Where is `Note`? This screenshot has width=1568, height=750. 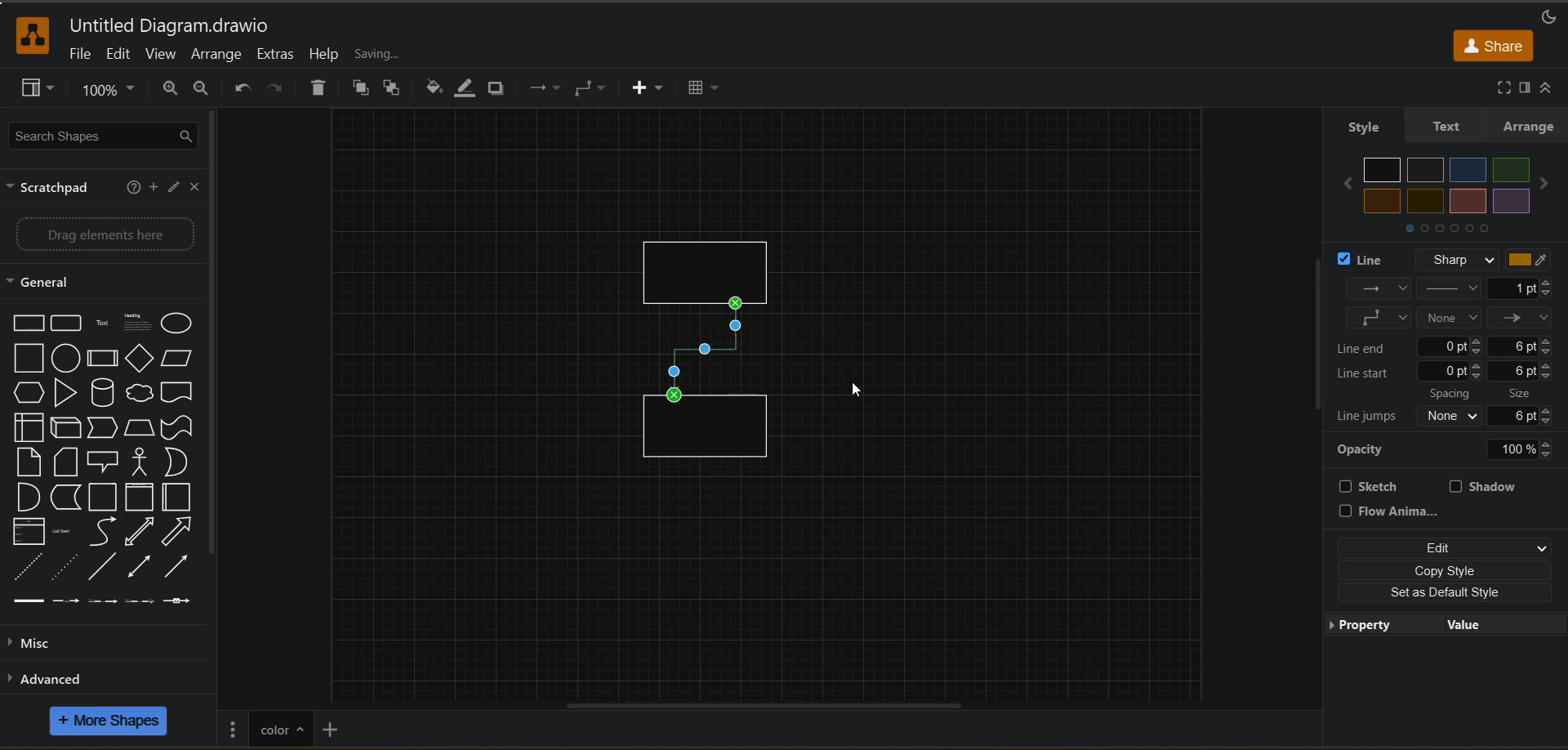 Note is located at coordinates (67, 461).